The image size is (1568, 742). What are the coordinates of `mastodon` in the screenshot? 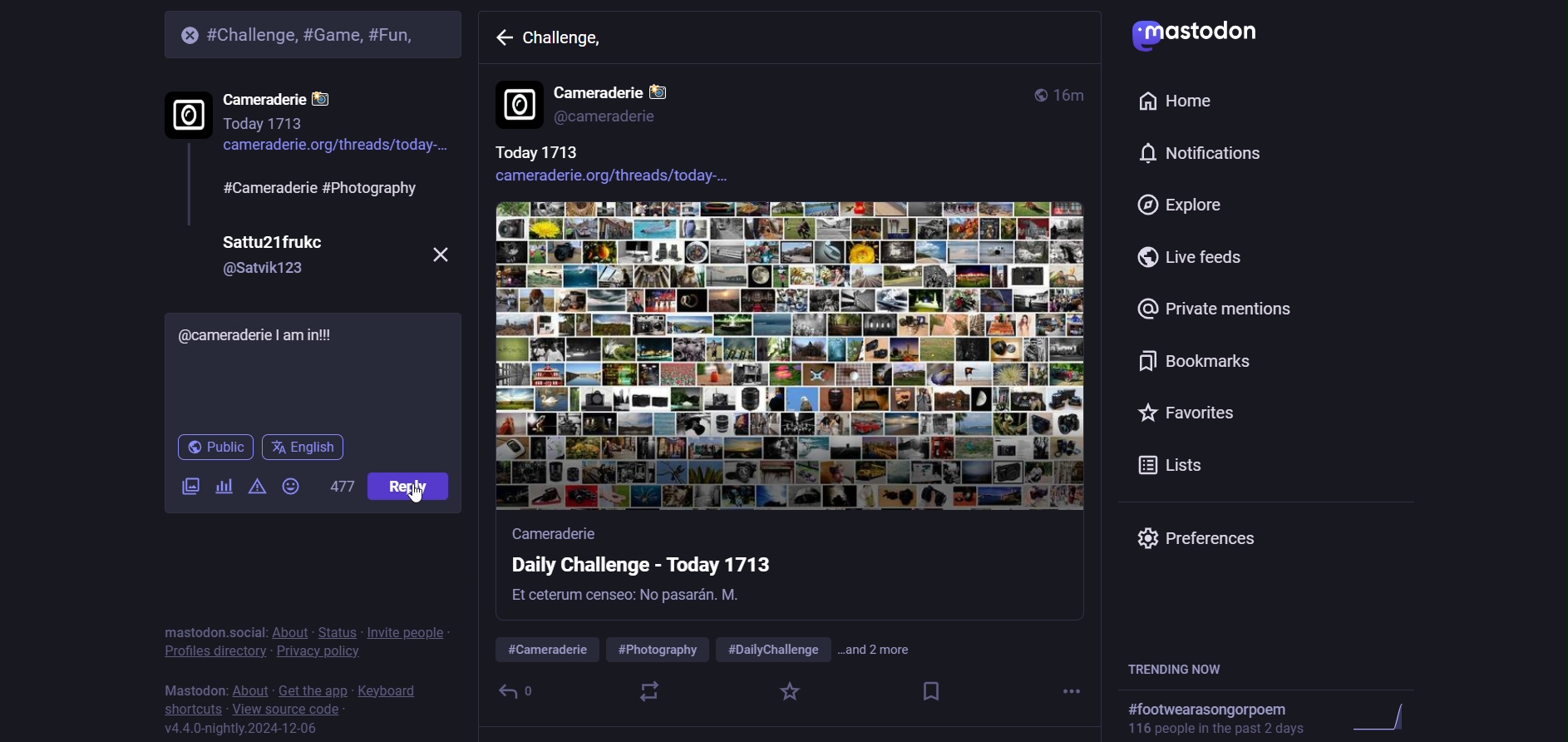 It's located at (194, 688).